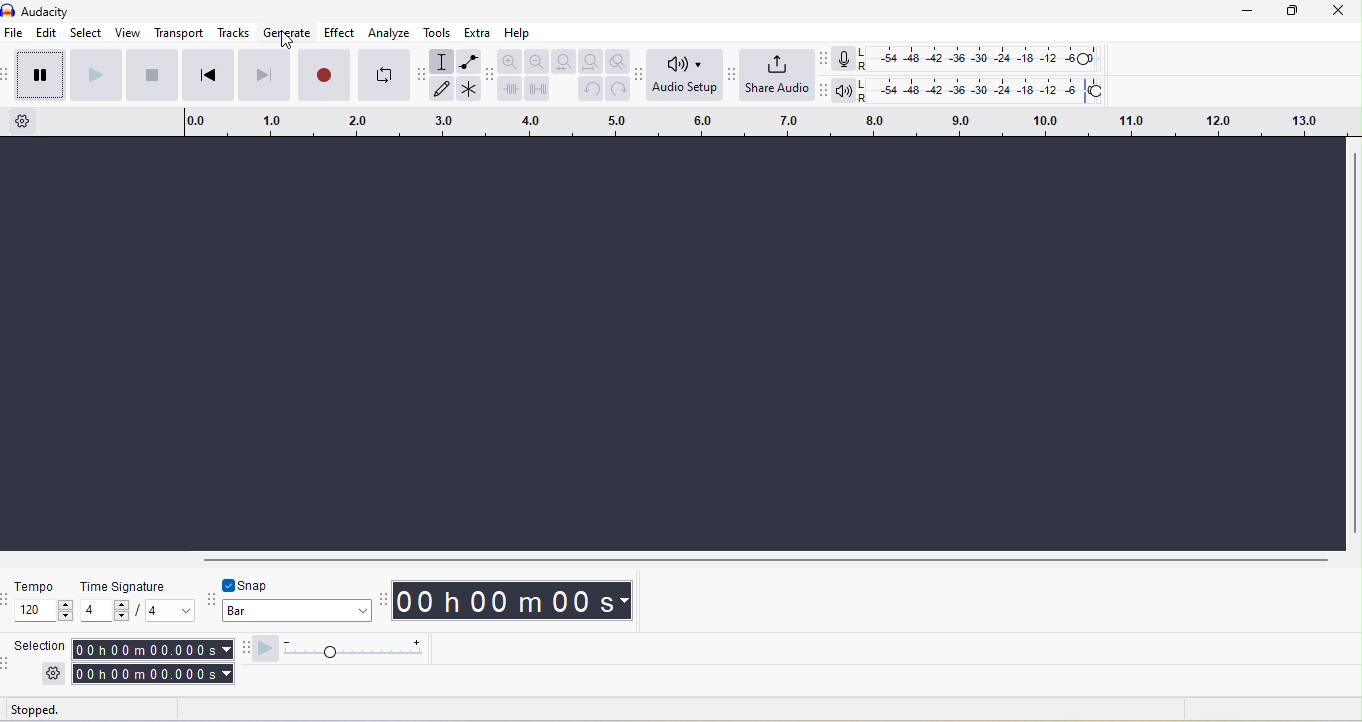 The height and width of the screenshot is (722, 1362). What do you see at coordinates (39, 645) in the screenshot?
I see `selection` at bounding box center [39, 645].